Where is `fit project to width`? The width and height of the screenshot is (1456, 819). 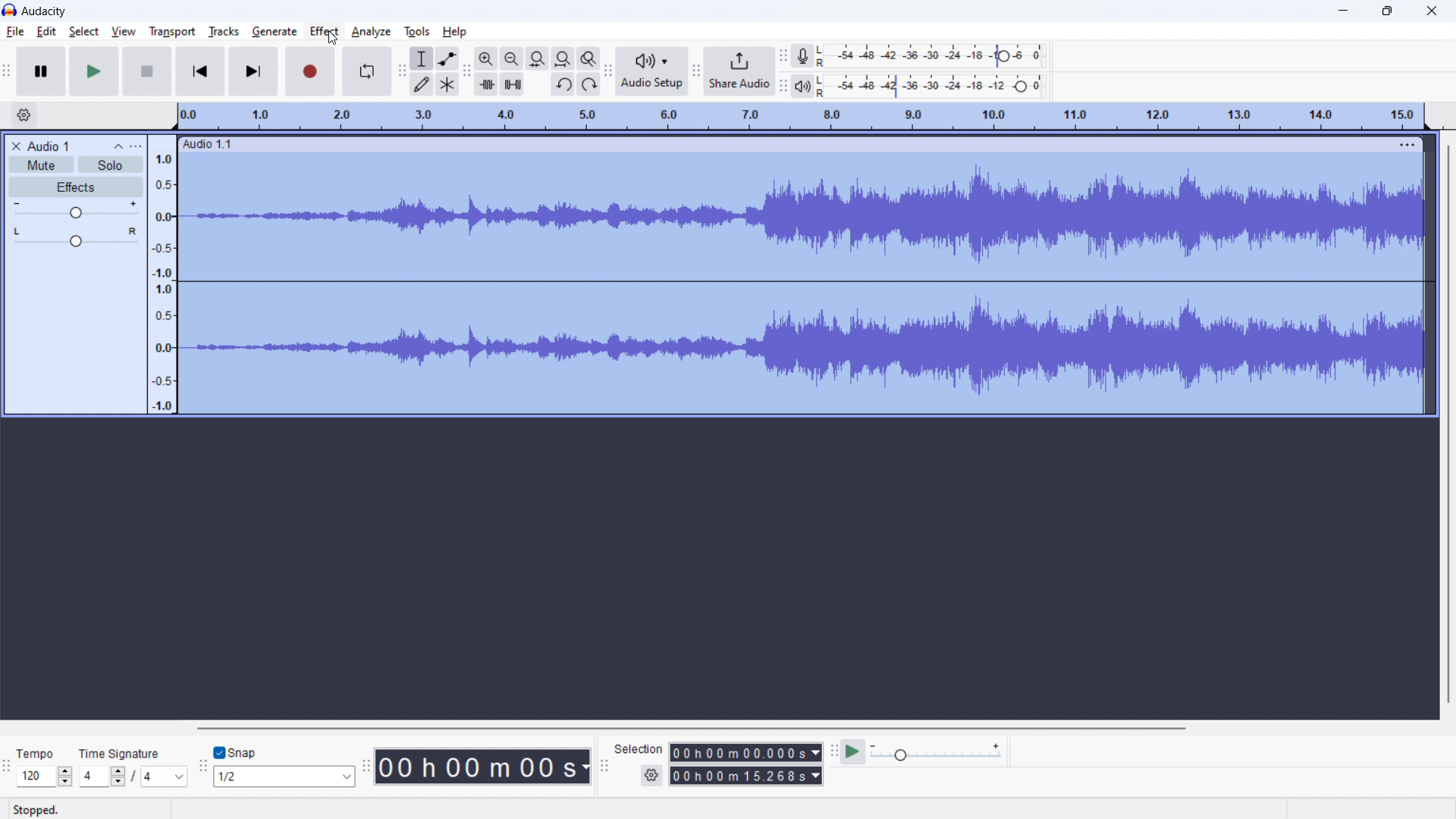 fit project to width is located at coordinates (563, 58).